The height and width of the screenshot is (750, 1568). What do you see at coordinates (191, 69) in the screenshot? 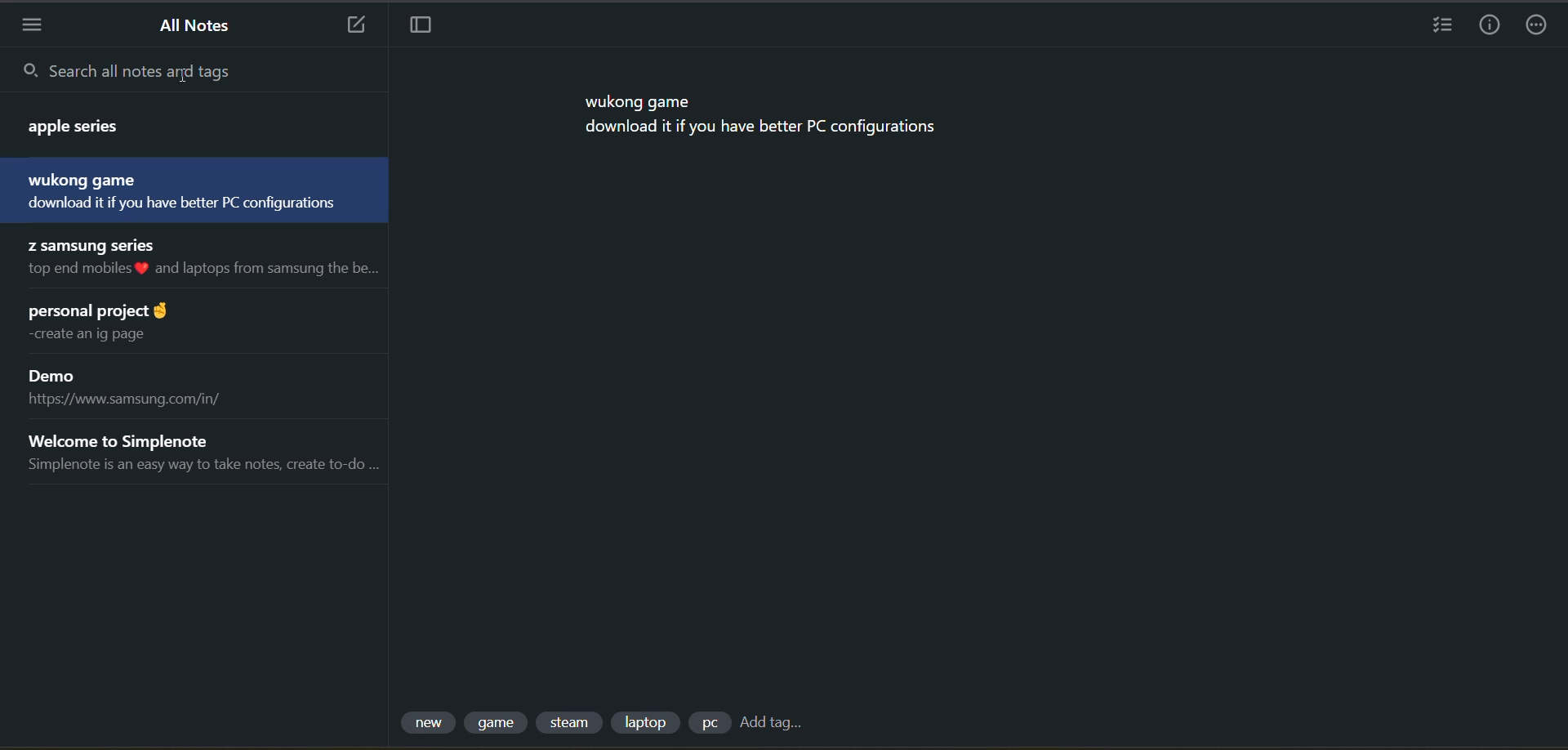
I see `search all notes and tags` at bounding box center [191, 69].